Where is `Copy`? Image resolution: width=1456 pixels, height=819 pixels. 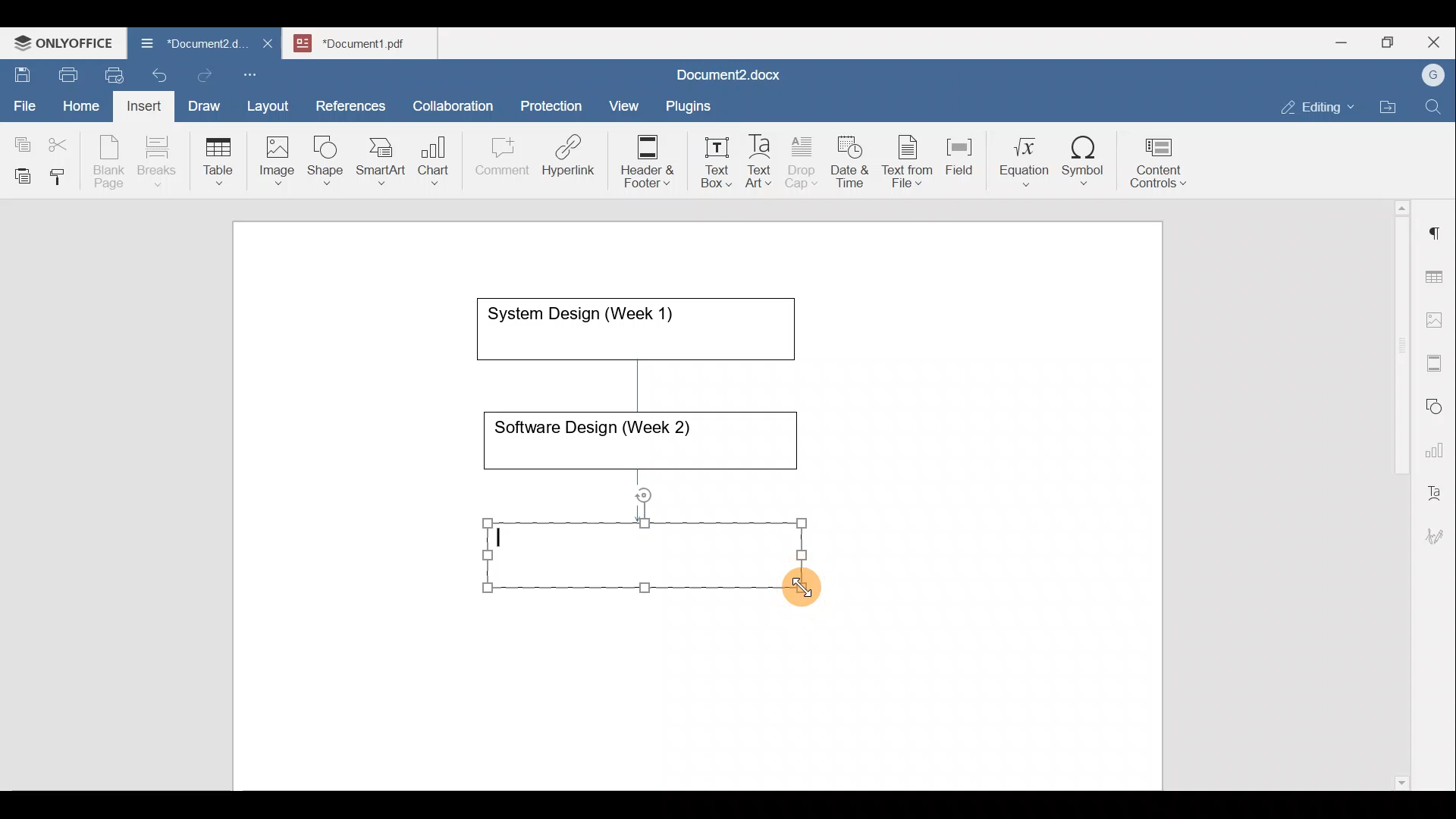
Copy is located at coordinates (20, 140).